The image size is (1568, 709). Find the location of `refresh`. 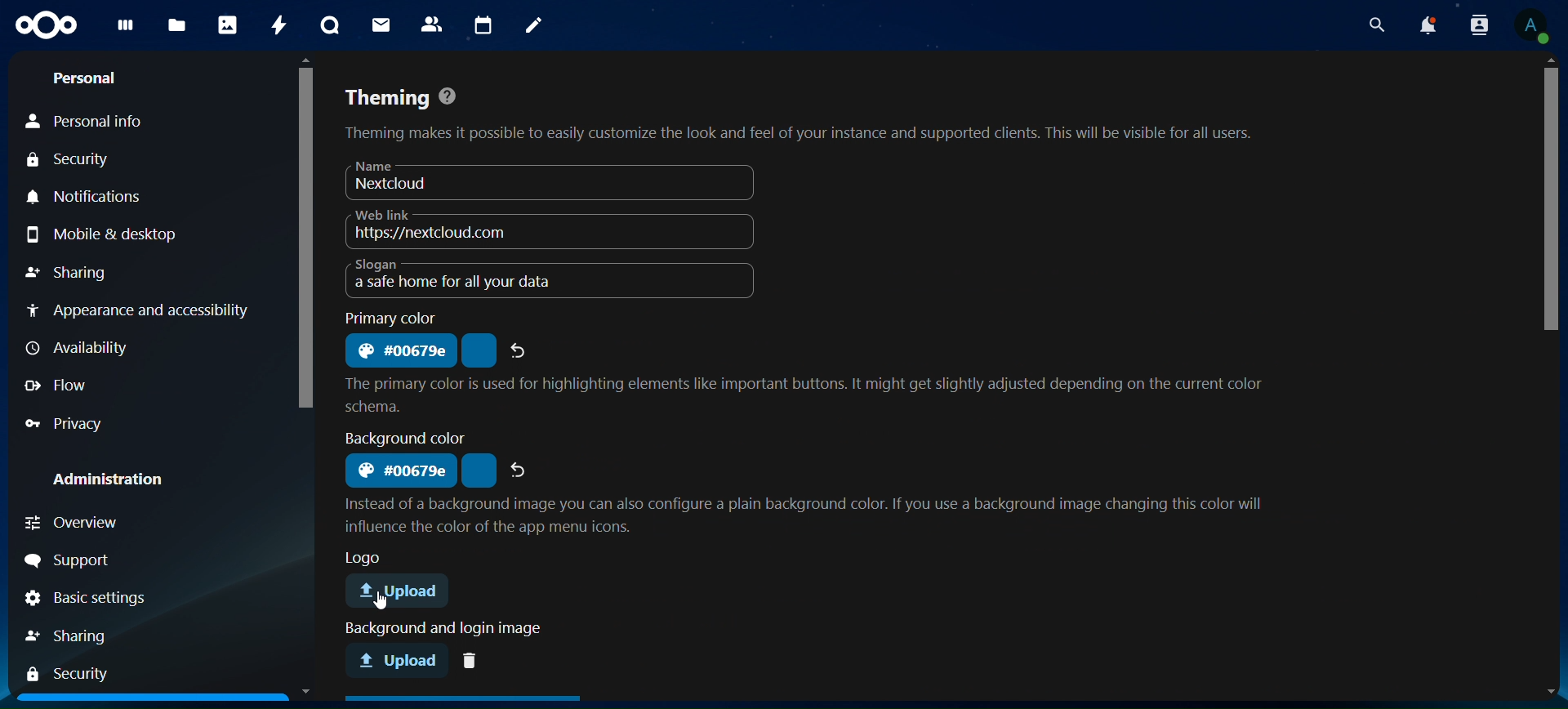

refresh is located at coordinates (520, 469).